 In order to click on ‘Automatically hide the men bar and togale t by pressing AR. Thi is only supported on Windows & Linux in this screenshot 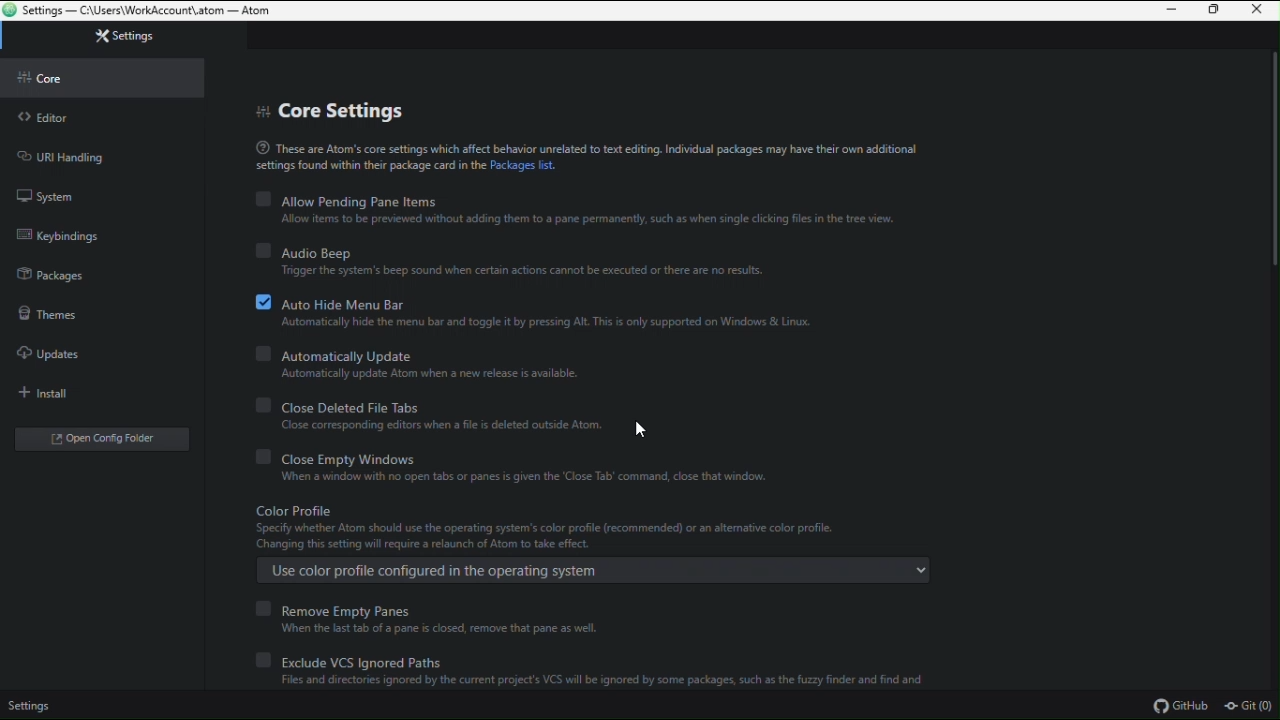, I will do `click(541, 321)`.